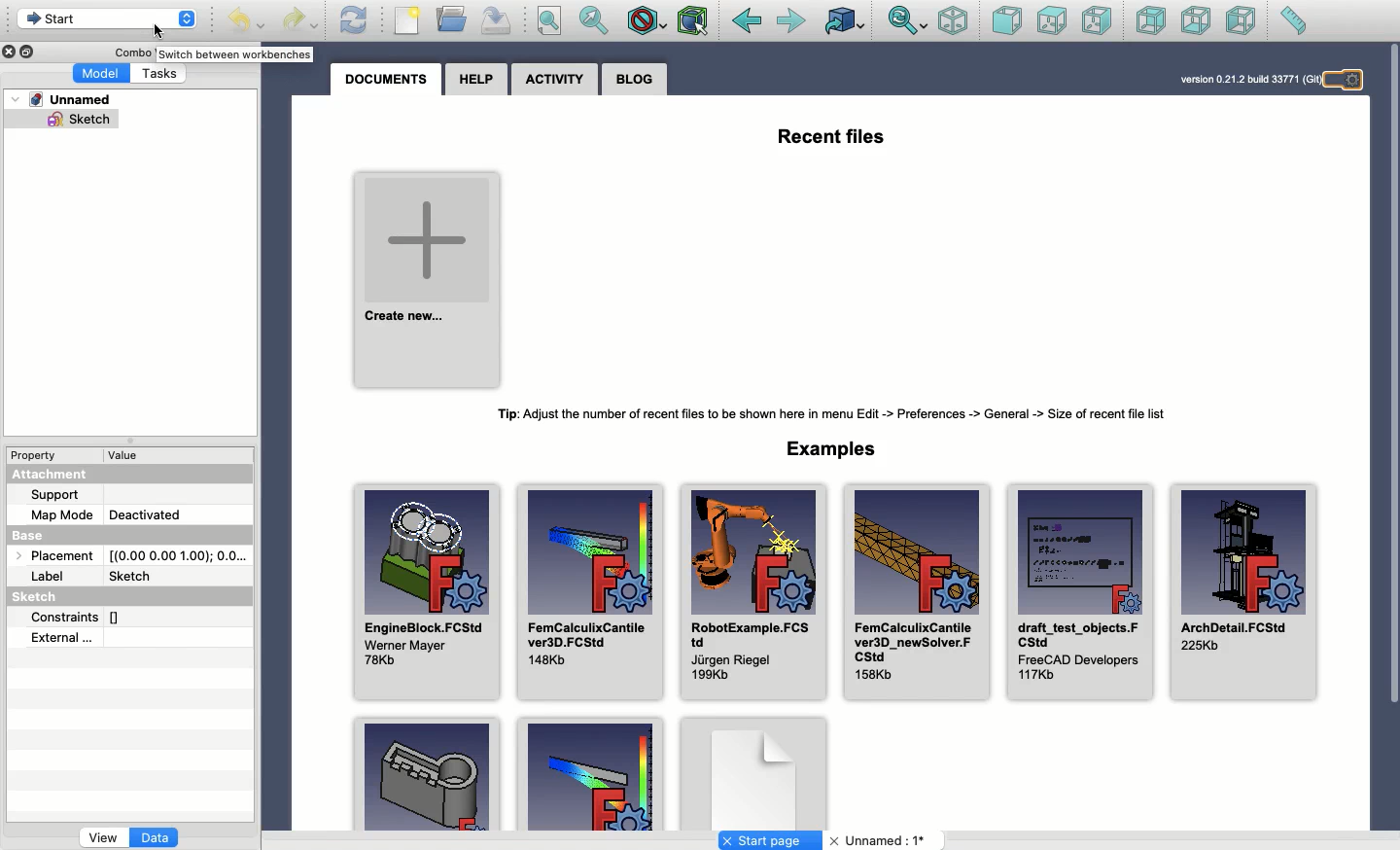 The height and width of the screenshot is (850, 1400). What do you see at coordinates (236, 55) in the screenshot?
I see `switch between workbenches` at bounding box center [236, 55].